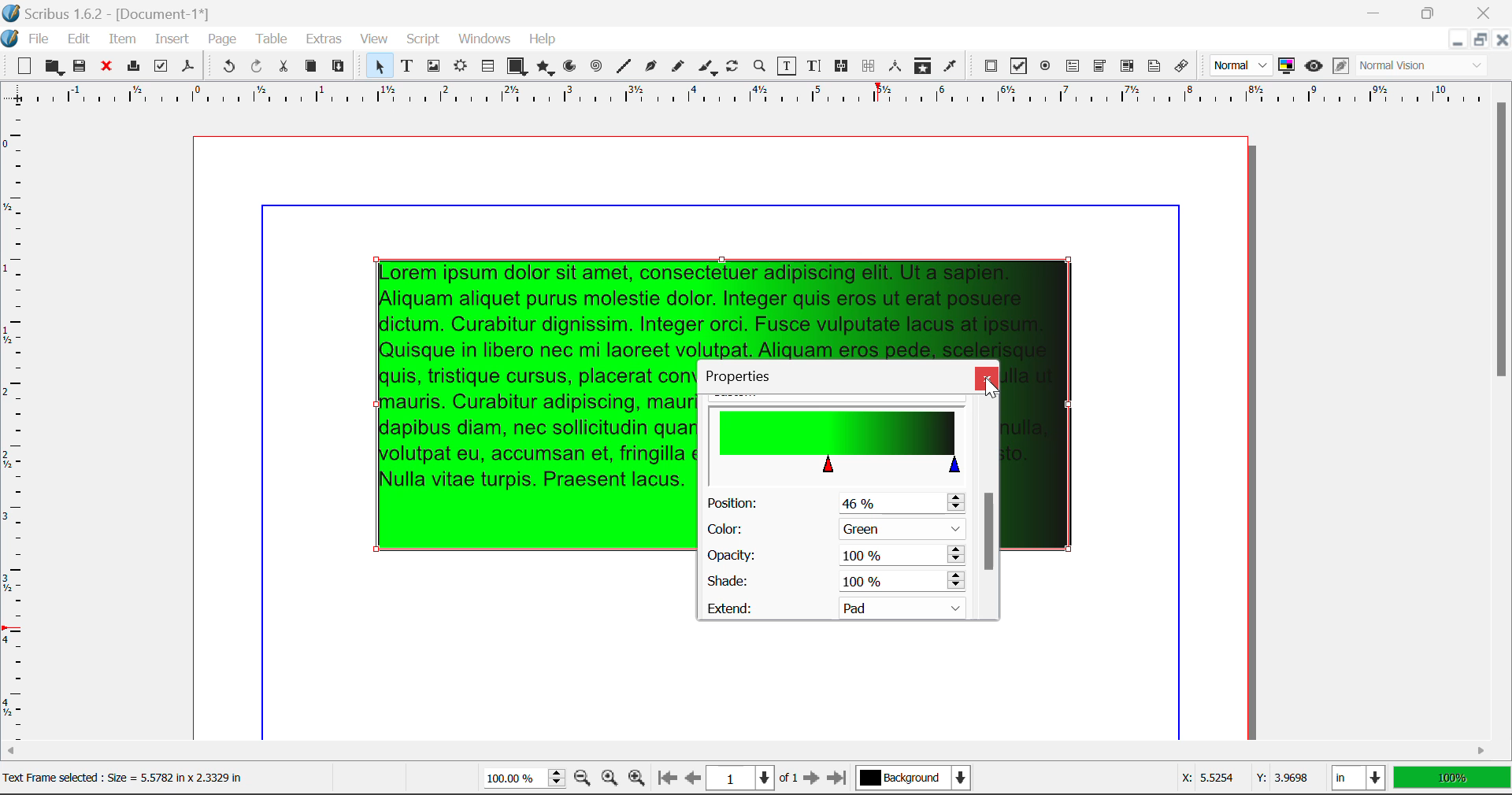 The height and width of the screenshot is (795, 1512). I want to click on Vertical Page Margins, so click(755, 99).